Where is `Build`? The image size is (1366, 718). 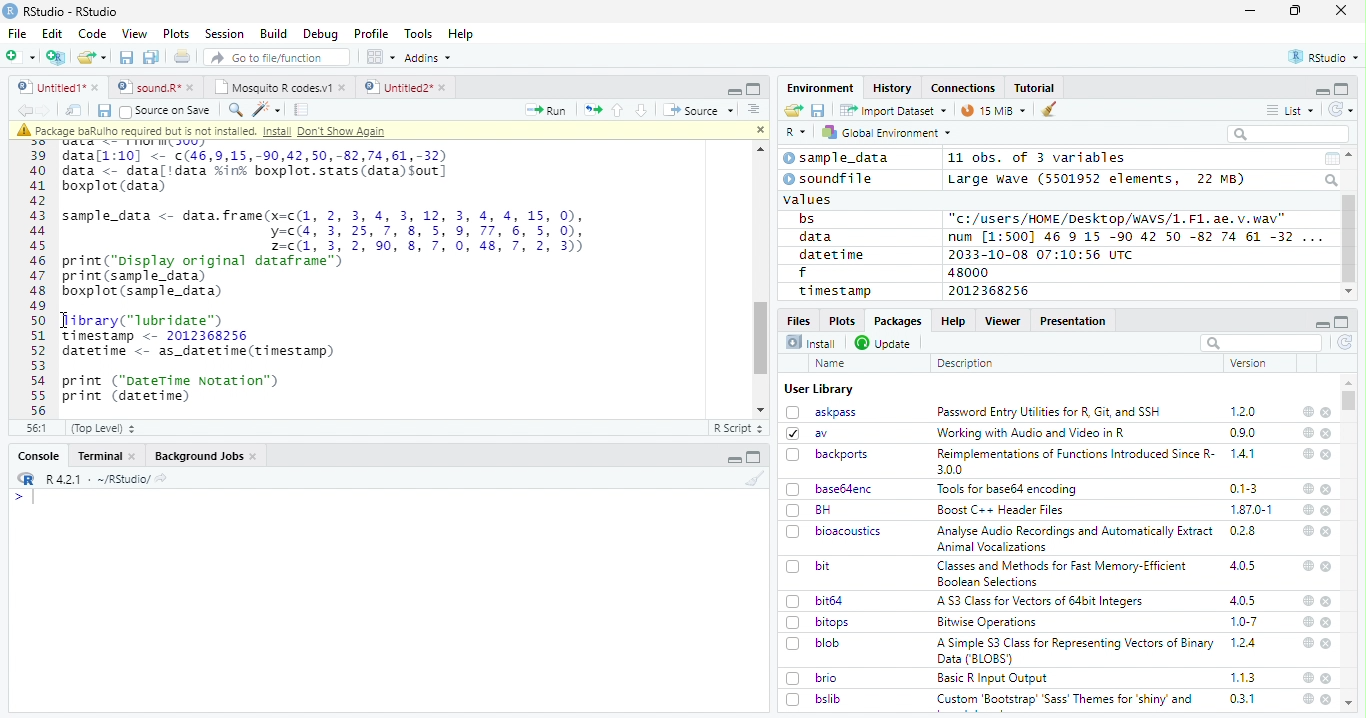 Build is located at coordinates (273, 34).